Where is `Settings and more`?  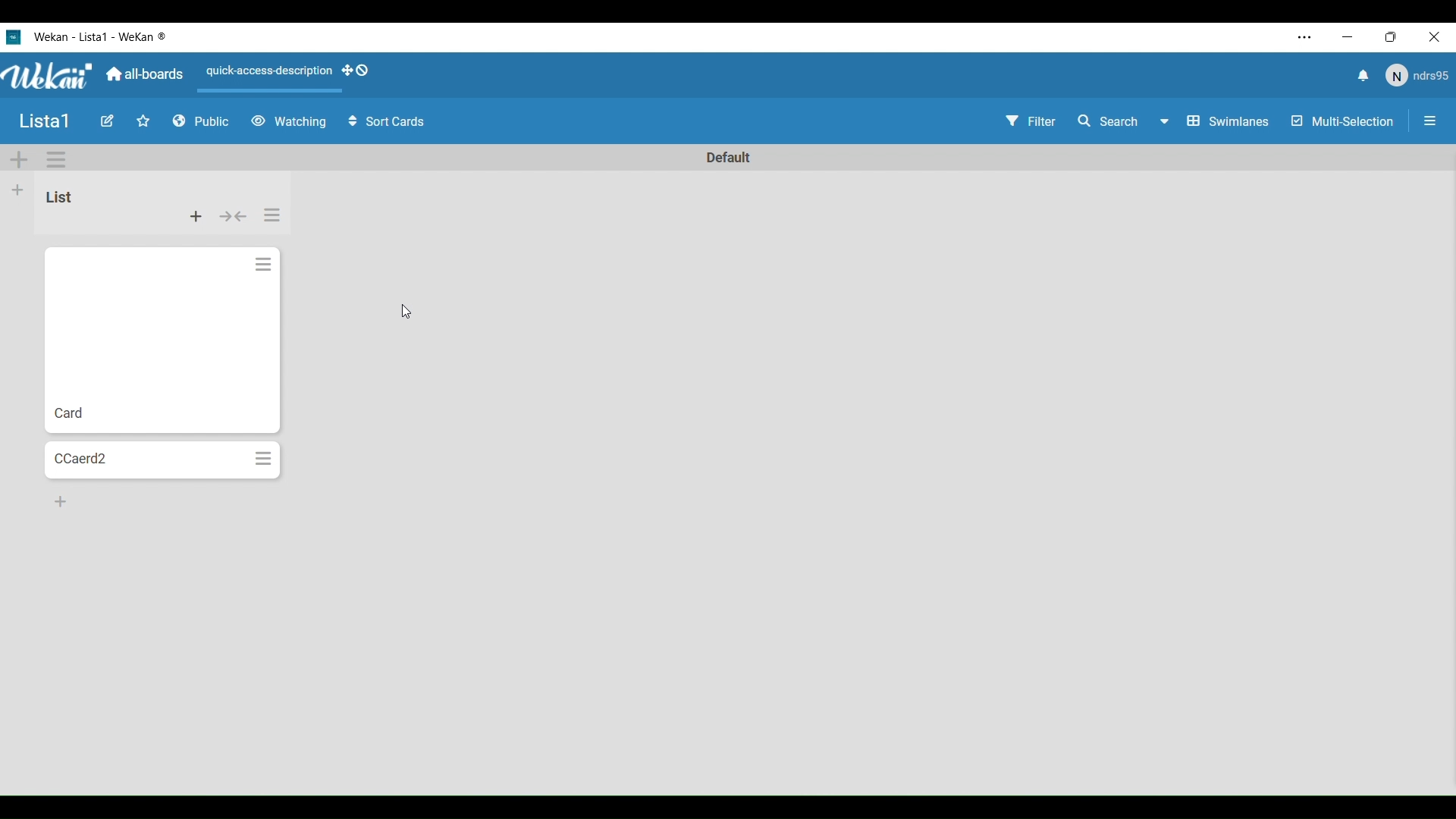 Settings and more is located at coordinates (1306, 37).